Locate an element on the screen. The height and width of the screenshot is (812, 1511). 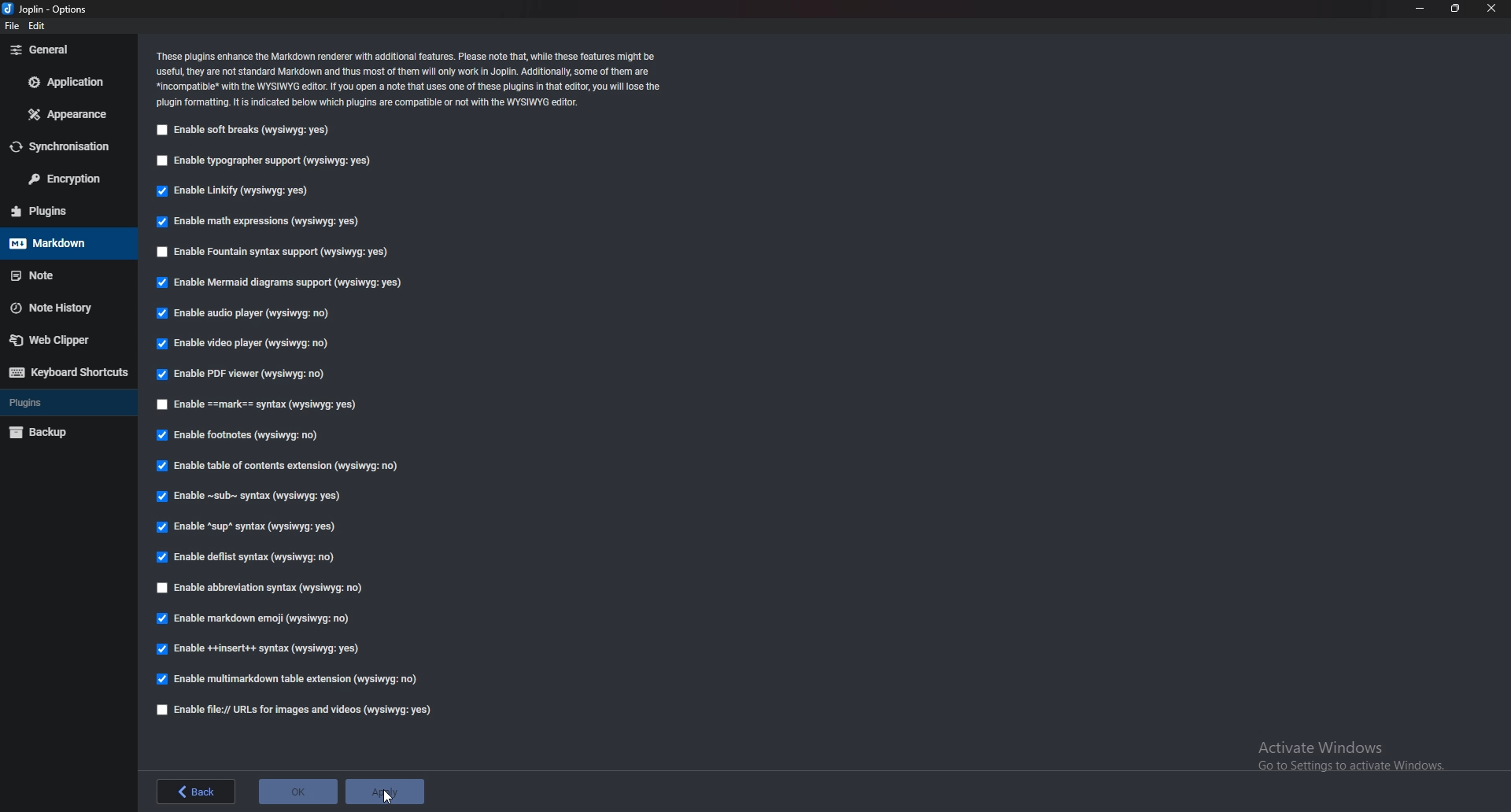
edit is located at coordinates (38, 25).